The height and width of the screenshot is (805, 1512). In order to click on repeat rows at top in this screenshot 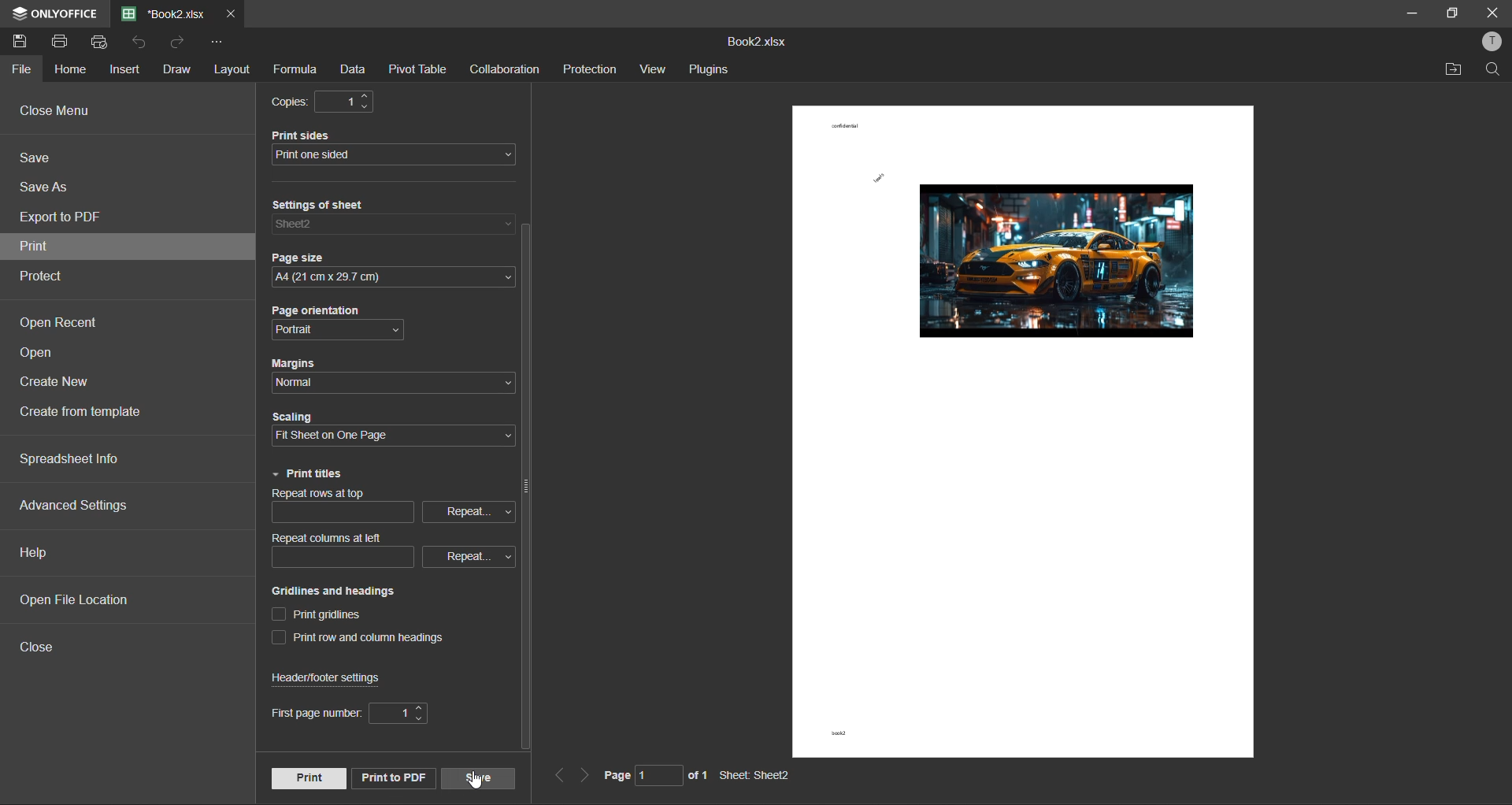, I will do `click(395, 507)`.